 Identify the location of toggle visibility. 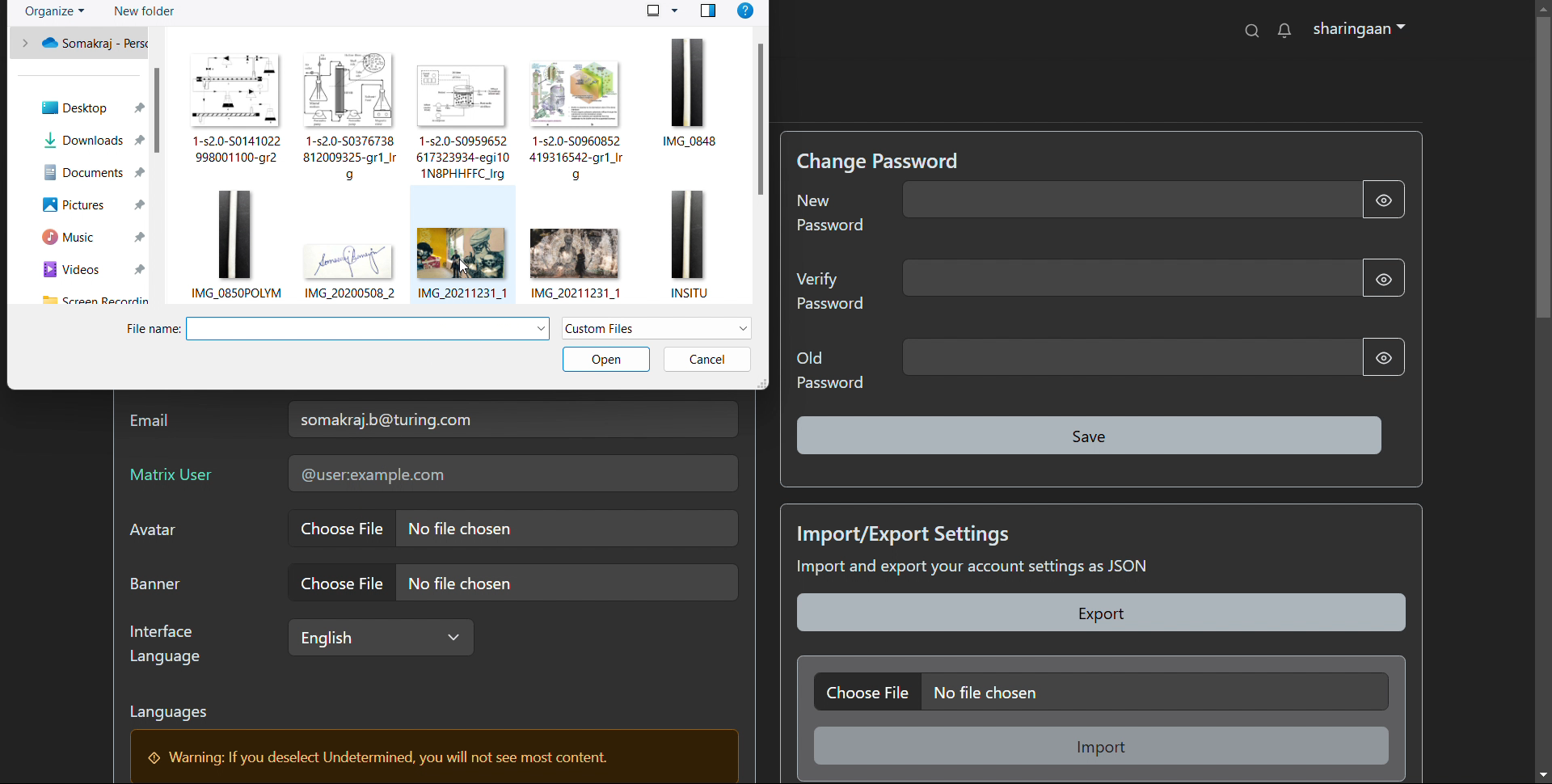
(1384, 200).